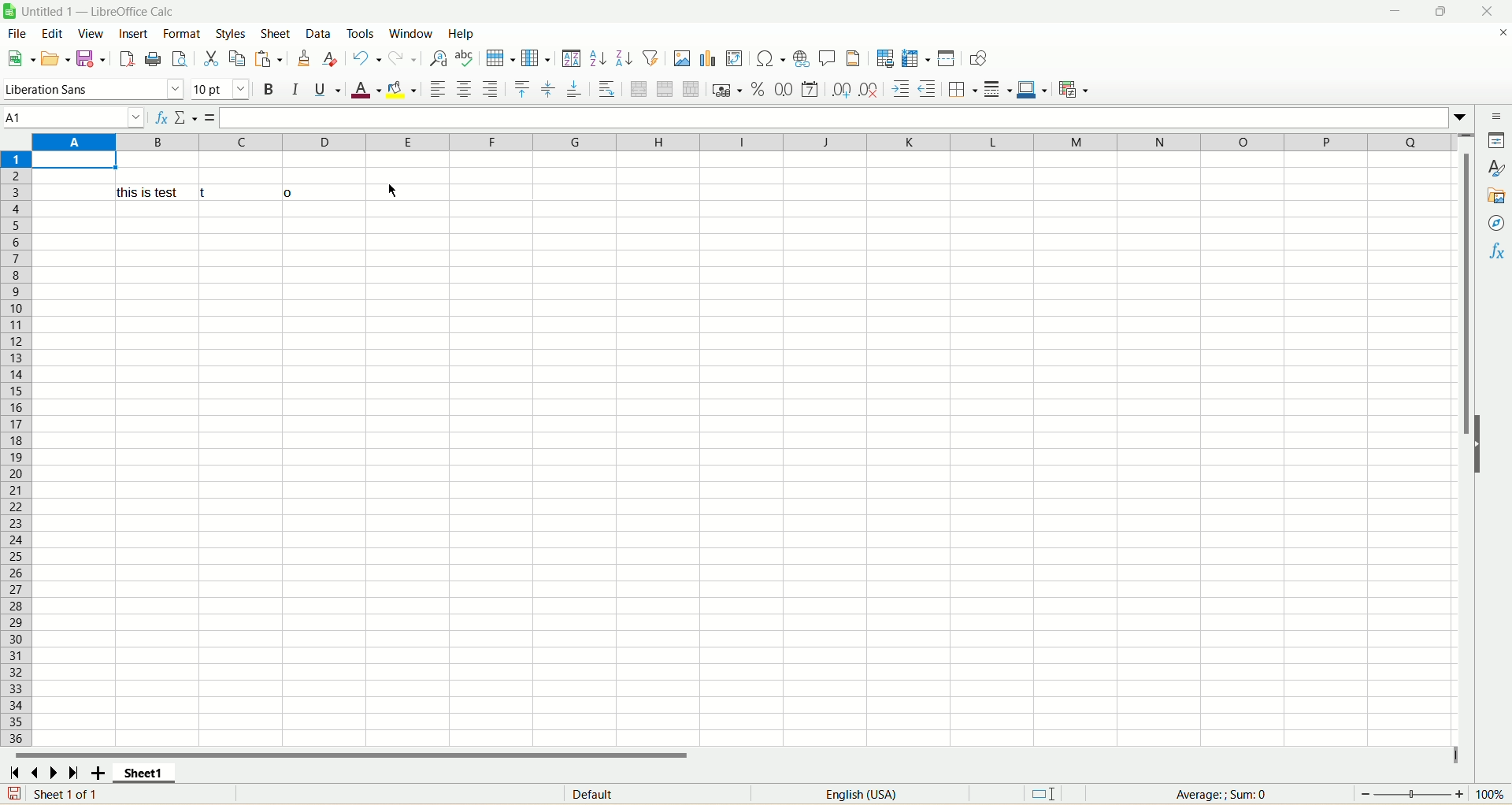 The width and height of the screenshot is (1512, 805). Describe the element at coordinates (653, 57) in the screenshot. I see `autofilter` at that location.